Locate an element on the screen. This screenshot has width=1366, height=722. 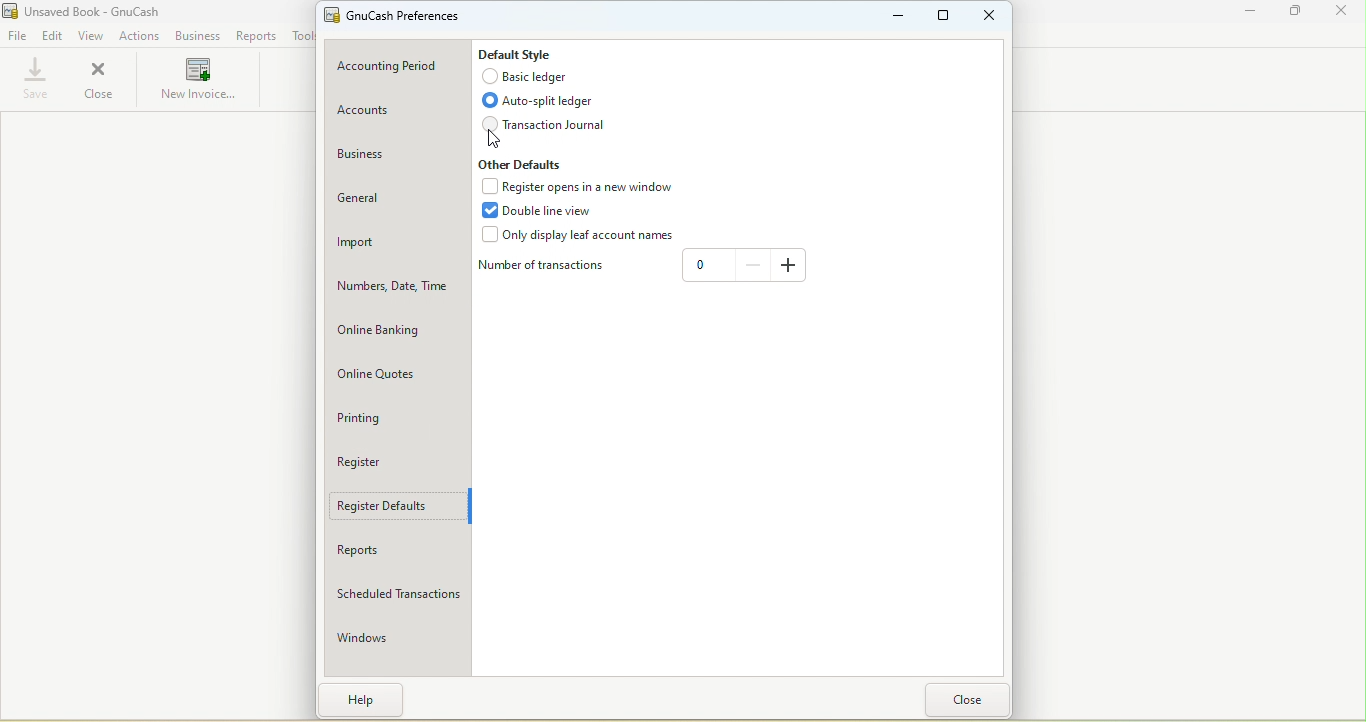
GnuCash preferences is located at coordinates (396, 16).